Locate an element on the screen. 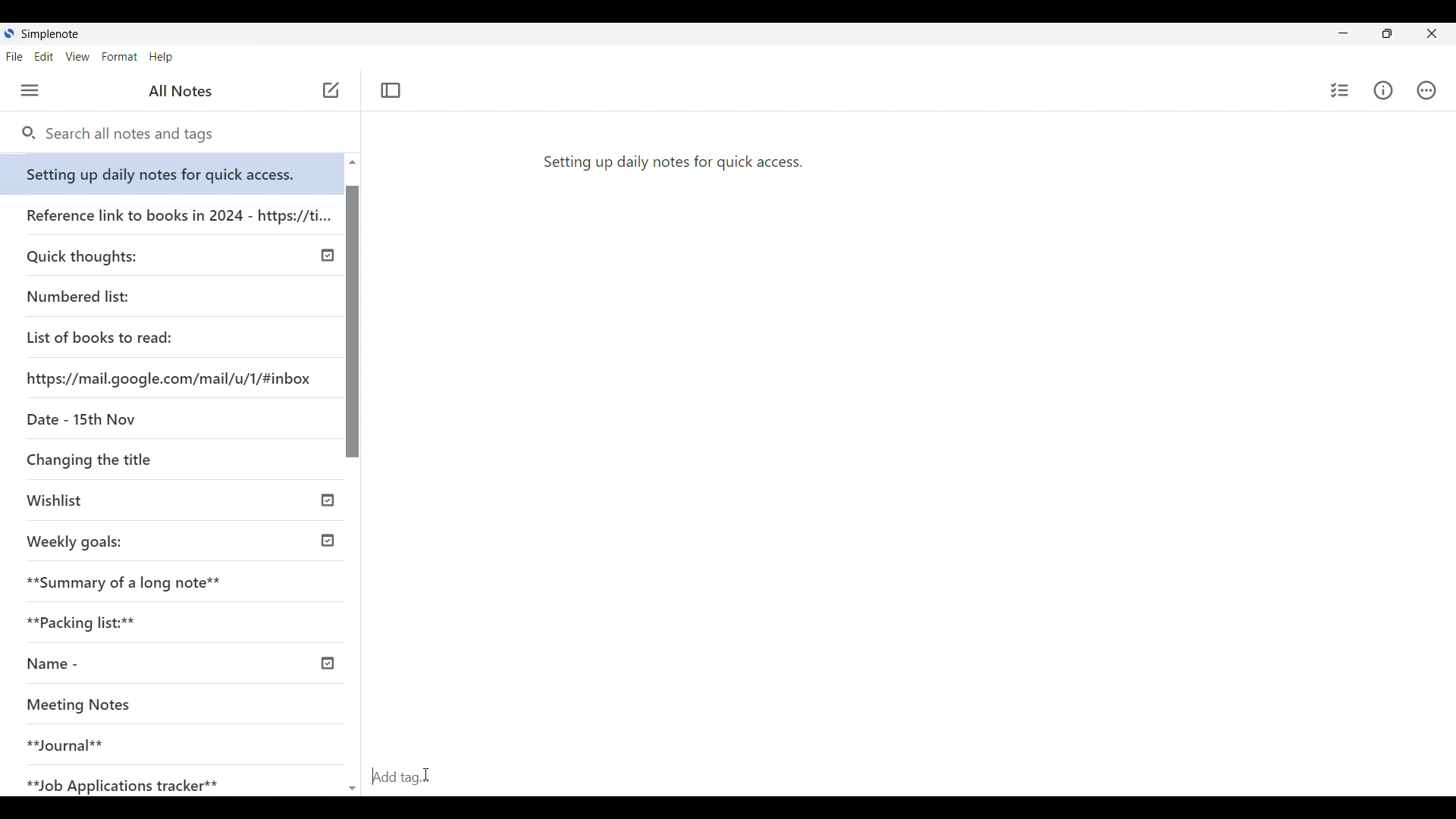 This screenshot has width=1456, height=819. Changing the title is located at coordinates (121, 459).